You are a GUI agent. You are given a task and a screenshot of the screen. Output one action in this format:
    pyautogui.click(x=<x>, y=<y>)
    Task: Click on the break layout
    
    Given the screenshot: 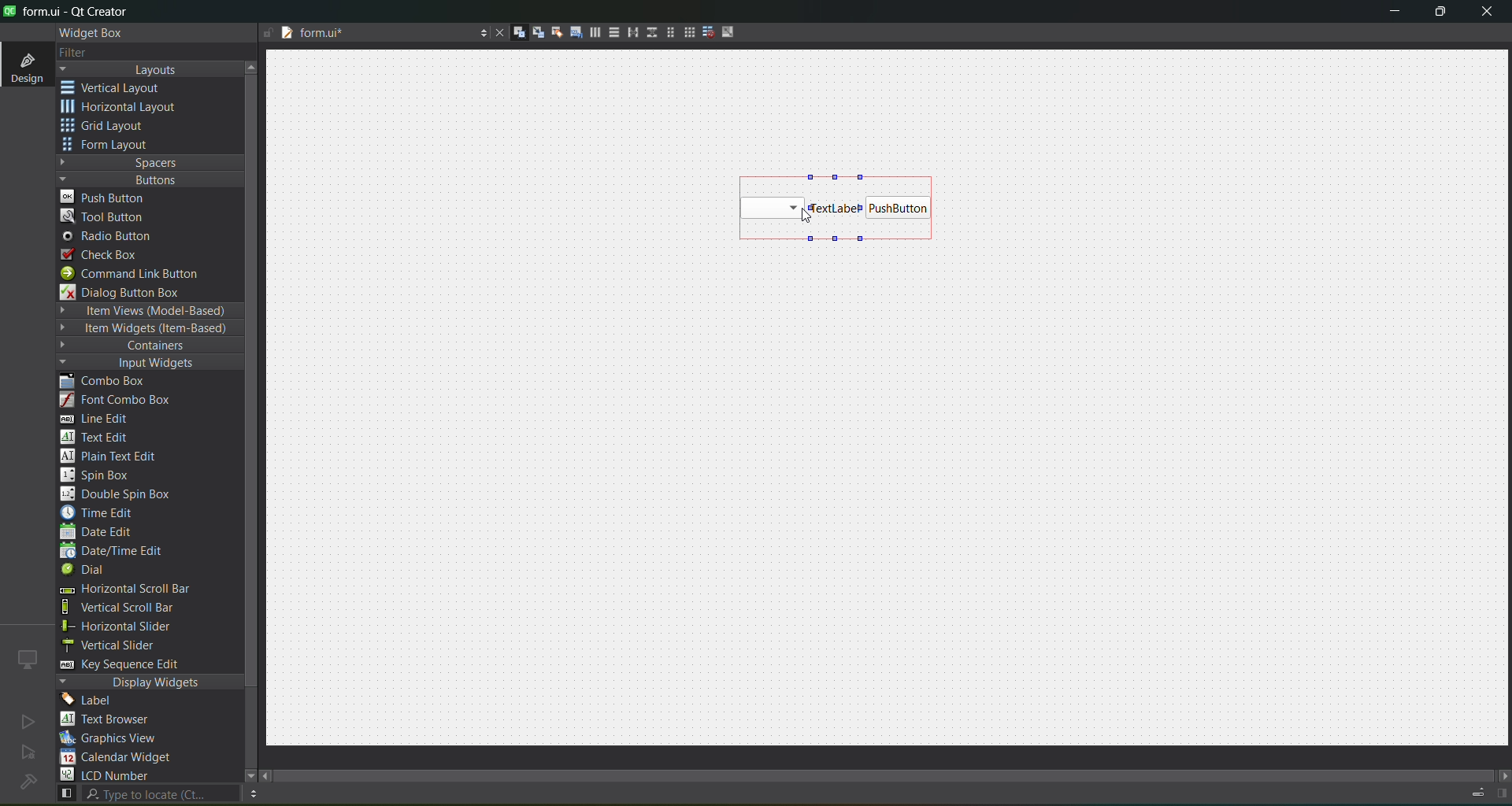 What is the action you would take?
    pyautogui.click(x=704, y=33)
    